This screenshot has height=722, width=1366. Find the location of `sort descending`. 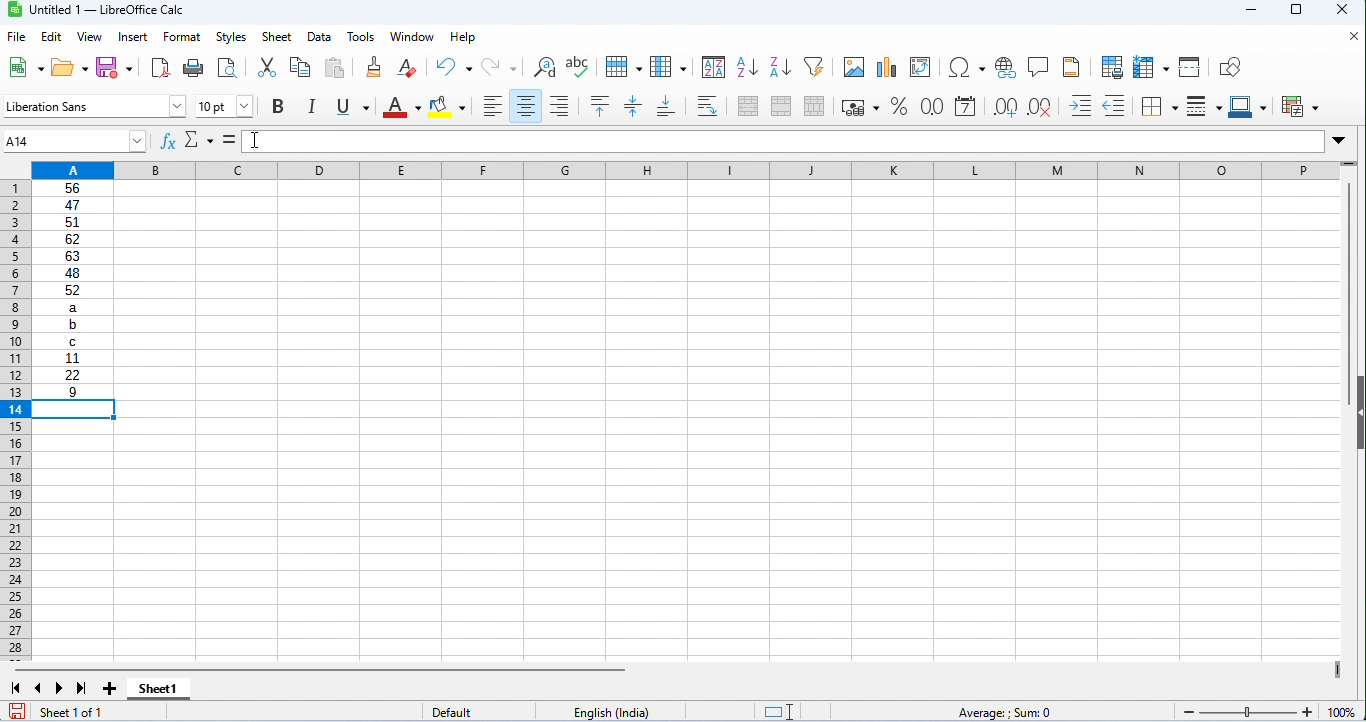

sort descending is located at coordinates (778, 66).